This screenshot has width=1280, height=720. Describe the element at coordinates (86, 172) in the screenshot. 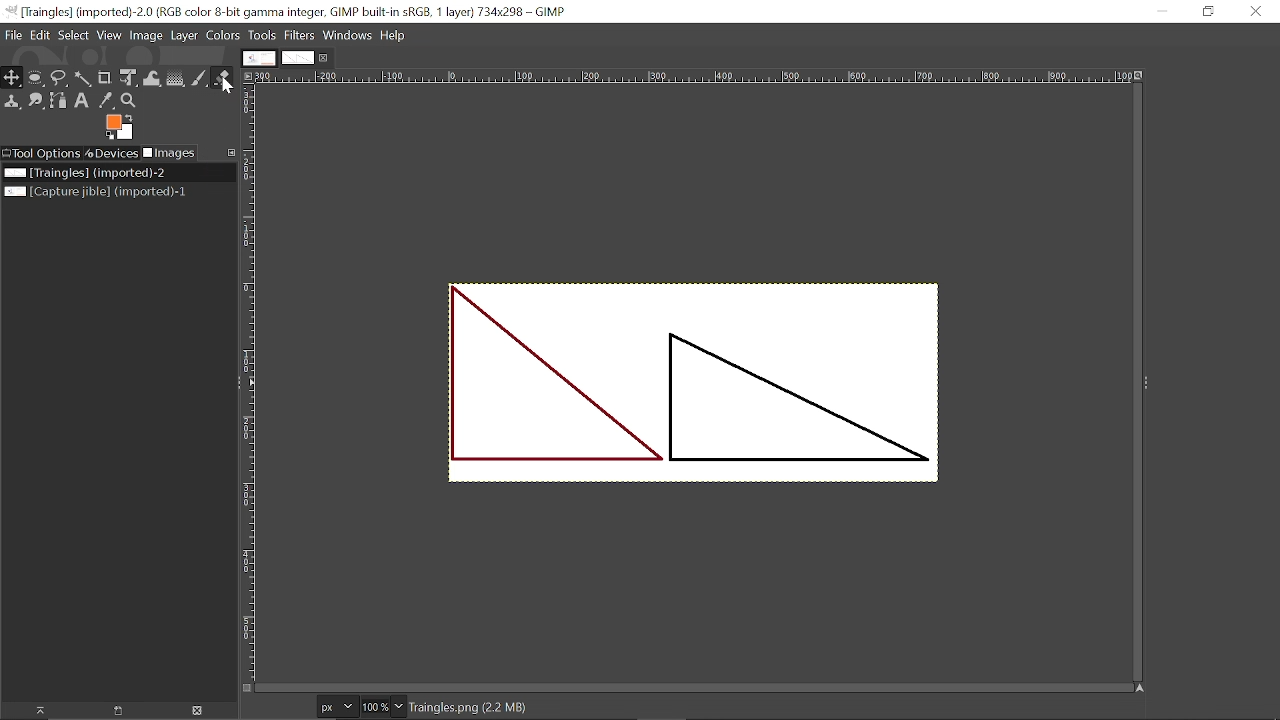

I see `Current image file` at that location.